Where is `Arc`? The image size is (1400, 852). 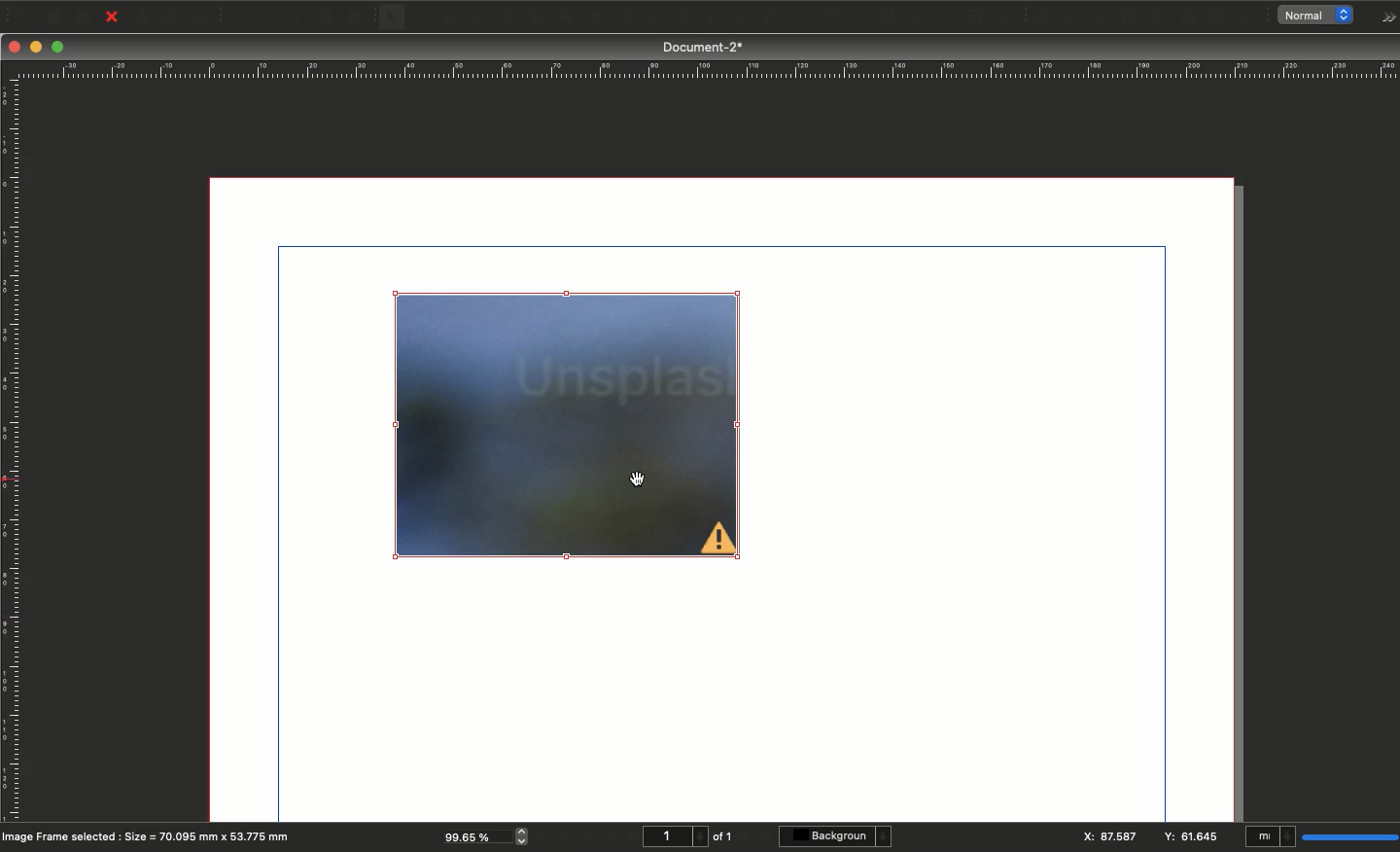 Arc is located at coordinates (595, 18).